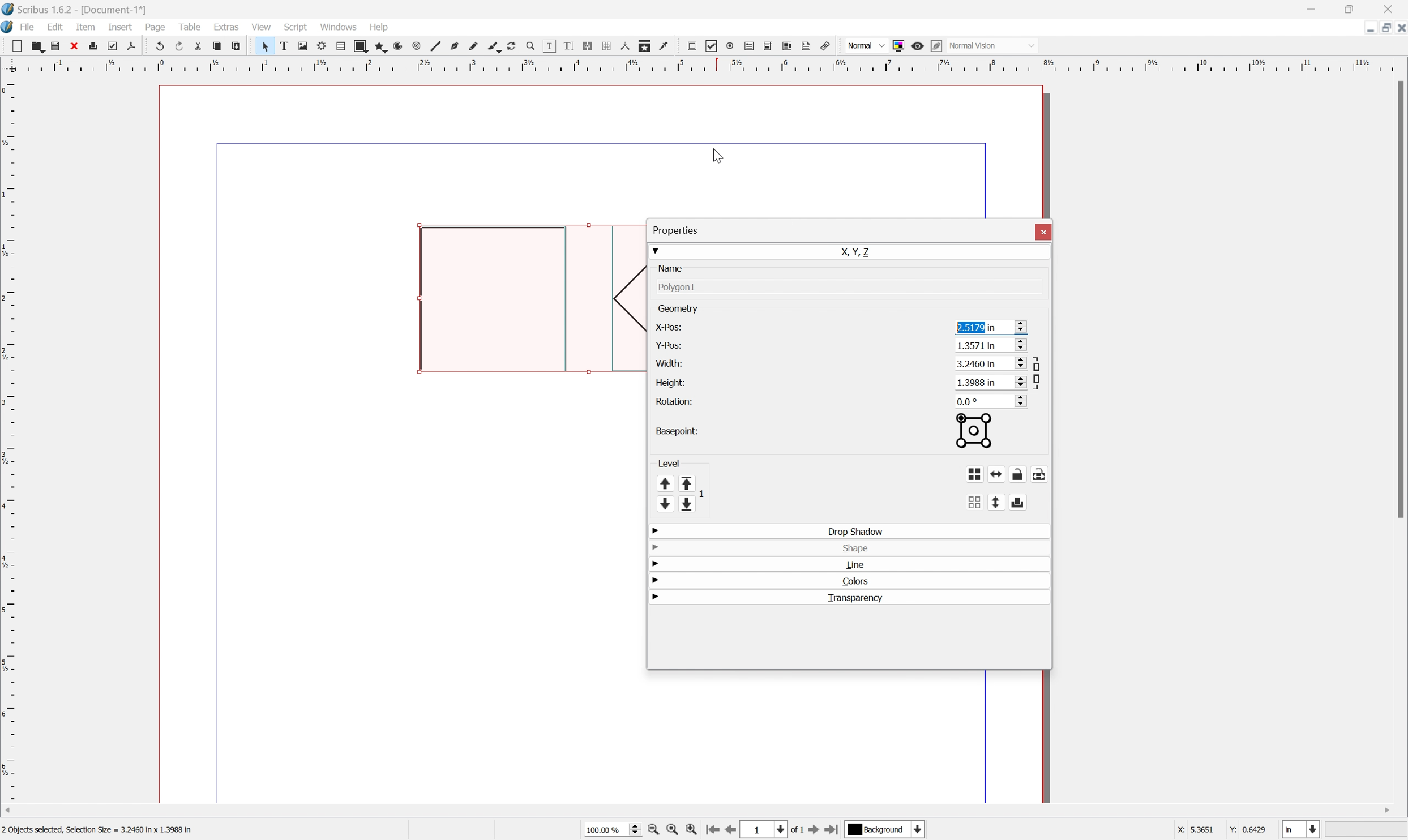  Describe the element at coordinates (771, 831) in the screenshot. I see `Select current page` at that location.